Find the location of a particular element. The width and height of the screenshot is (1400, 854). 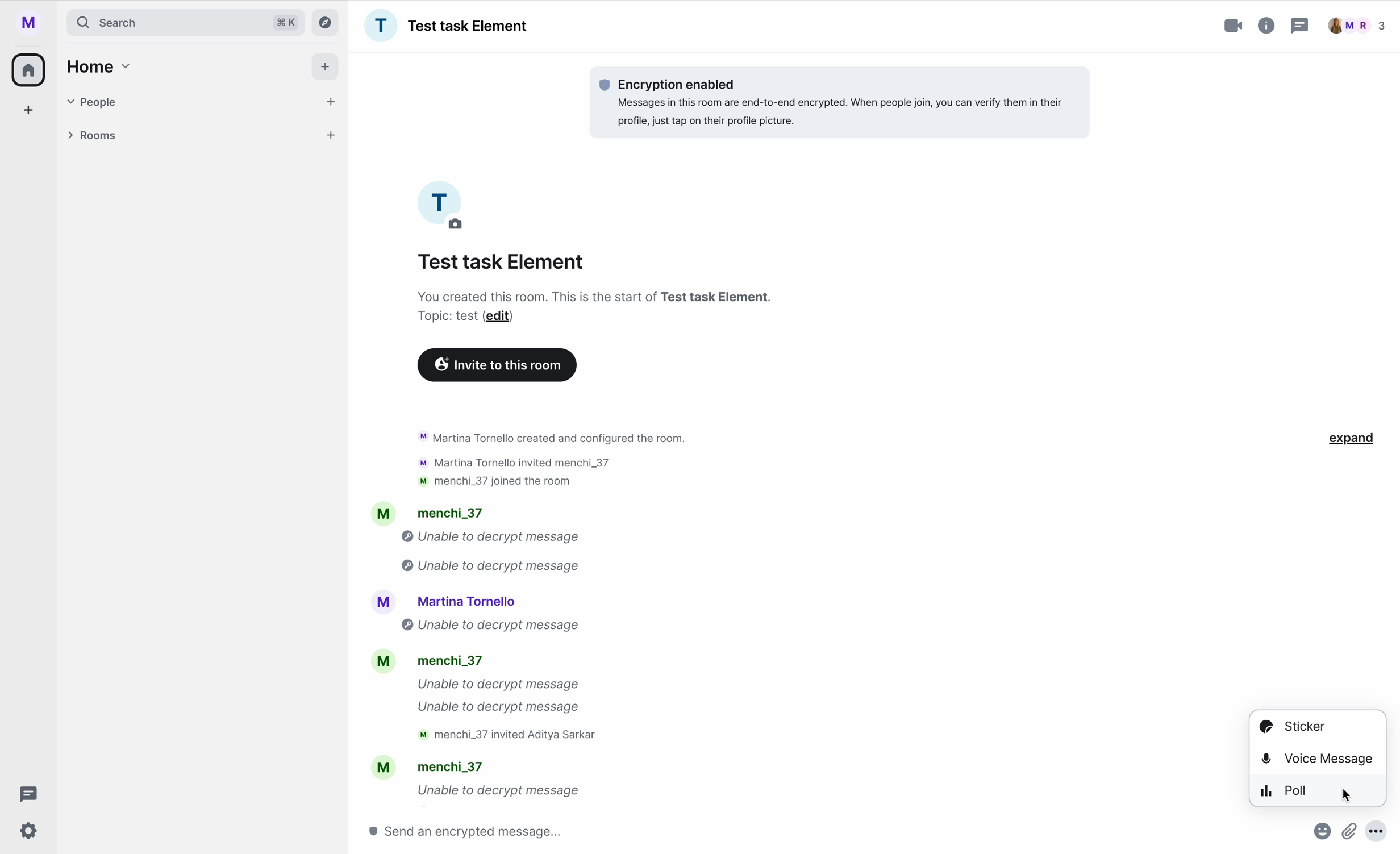

add is located at coordinates (30, 113).